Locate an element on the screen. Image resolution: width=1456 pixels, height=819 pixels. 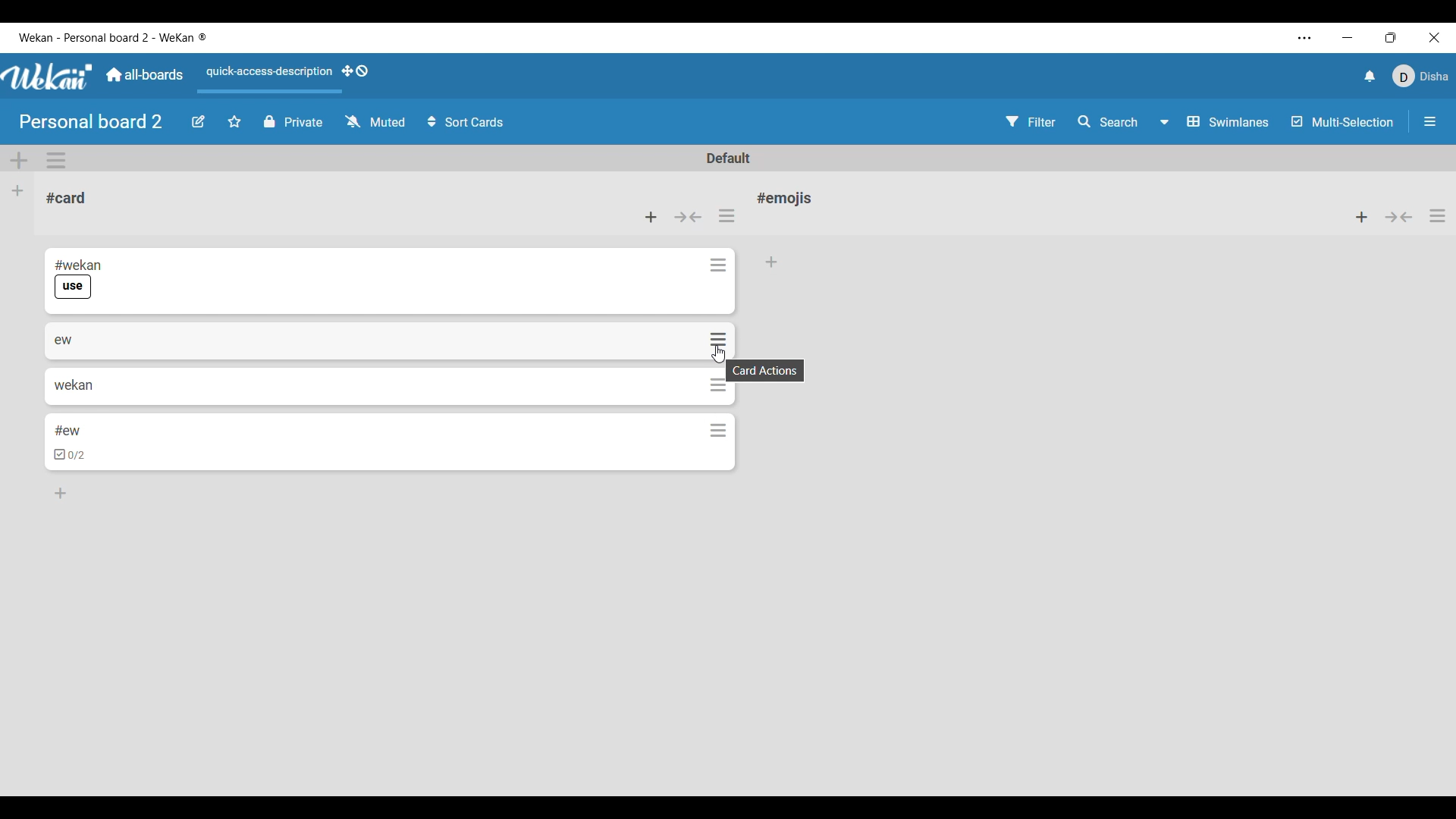
Add card to bottom of list is located at coordinates (60, 492).